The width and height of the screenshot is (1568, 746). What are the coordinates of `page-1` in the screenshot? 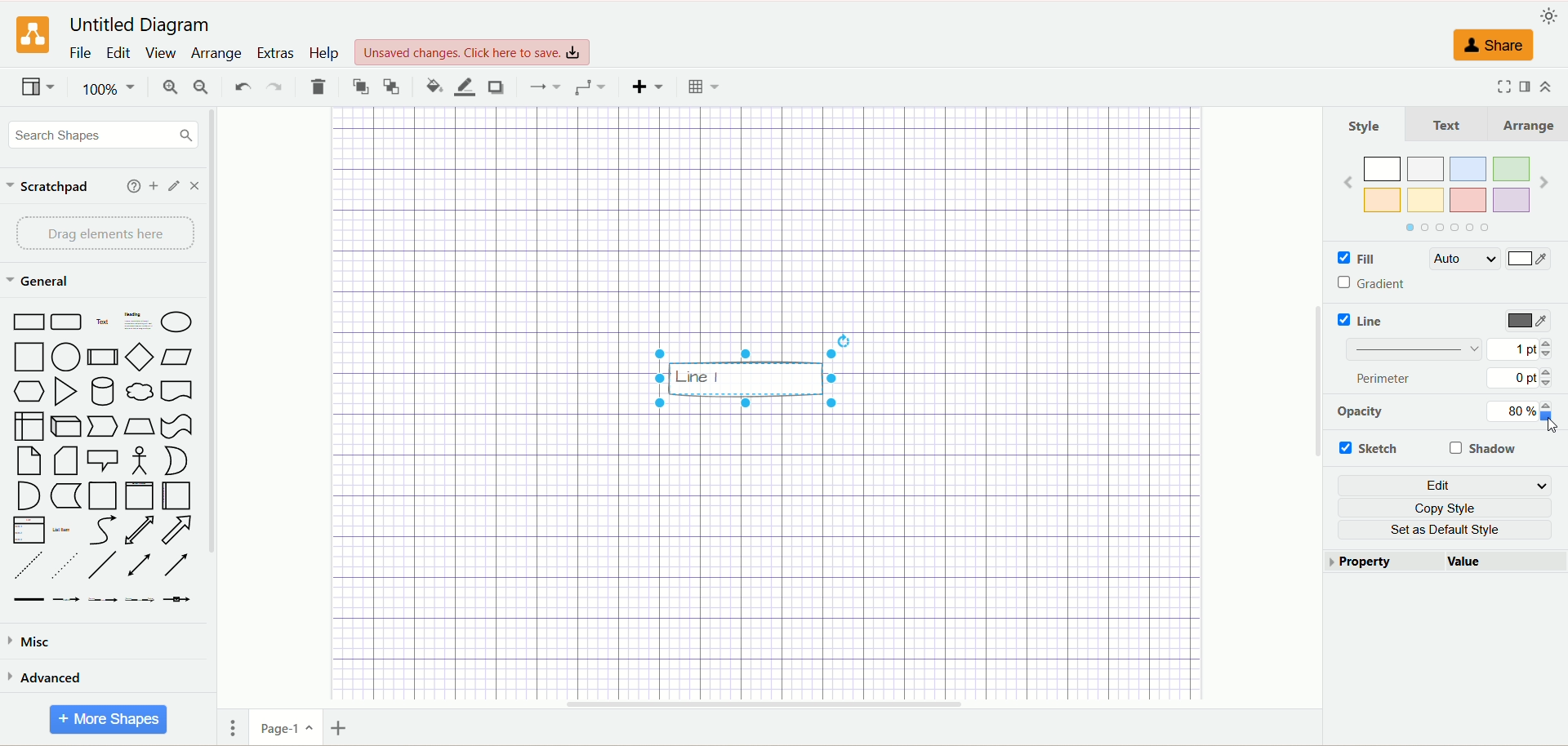 It's located at (282, 728).